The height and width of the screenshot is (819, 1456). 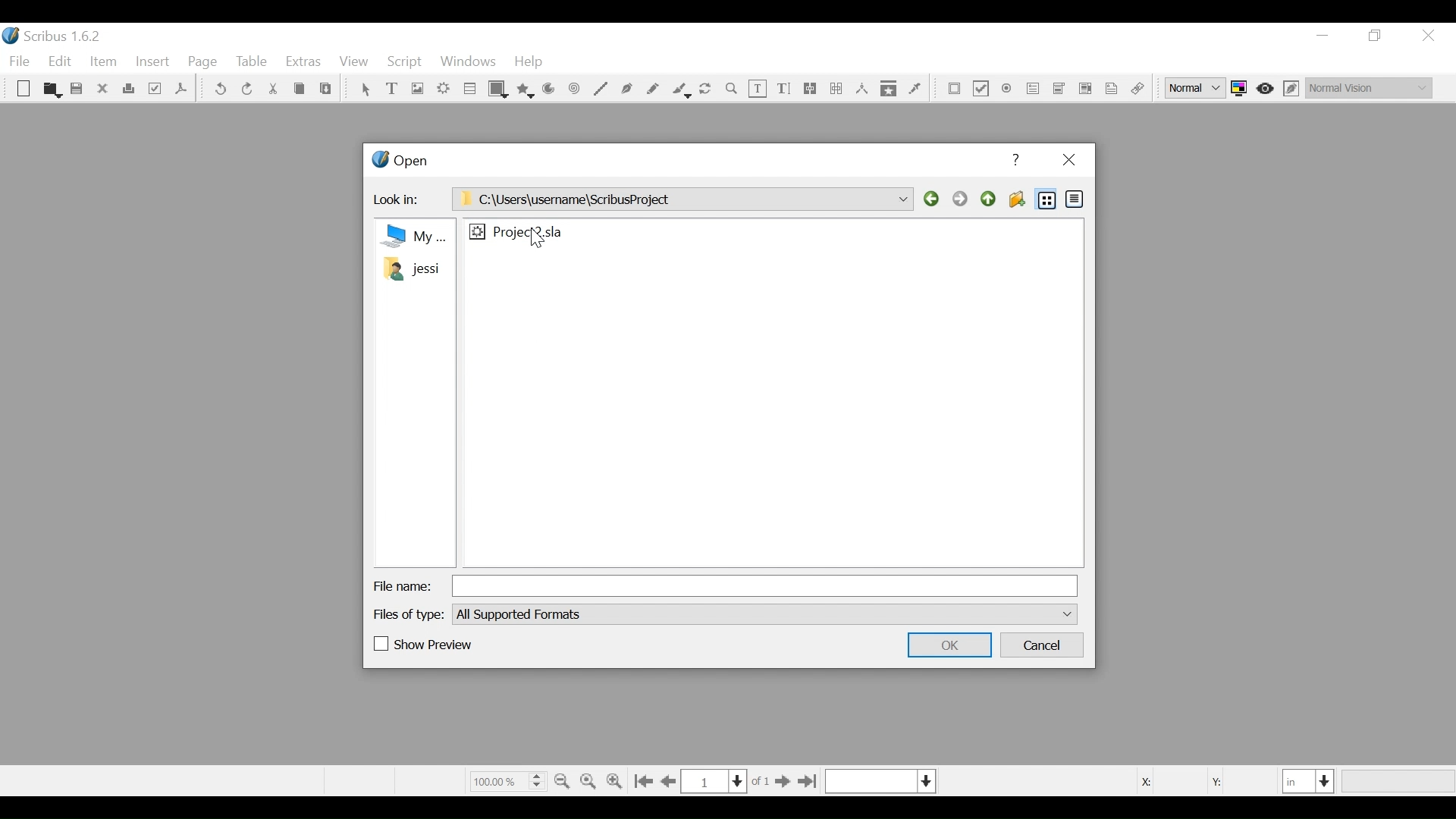 I want to click on Table, so click(x=253, y=63).